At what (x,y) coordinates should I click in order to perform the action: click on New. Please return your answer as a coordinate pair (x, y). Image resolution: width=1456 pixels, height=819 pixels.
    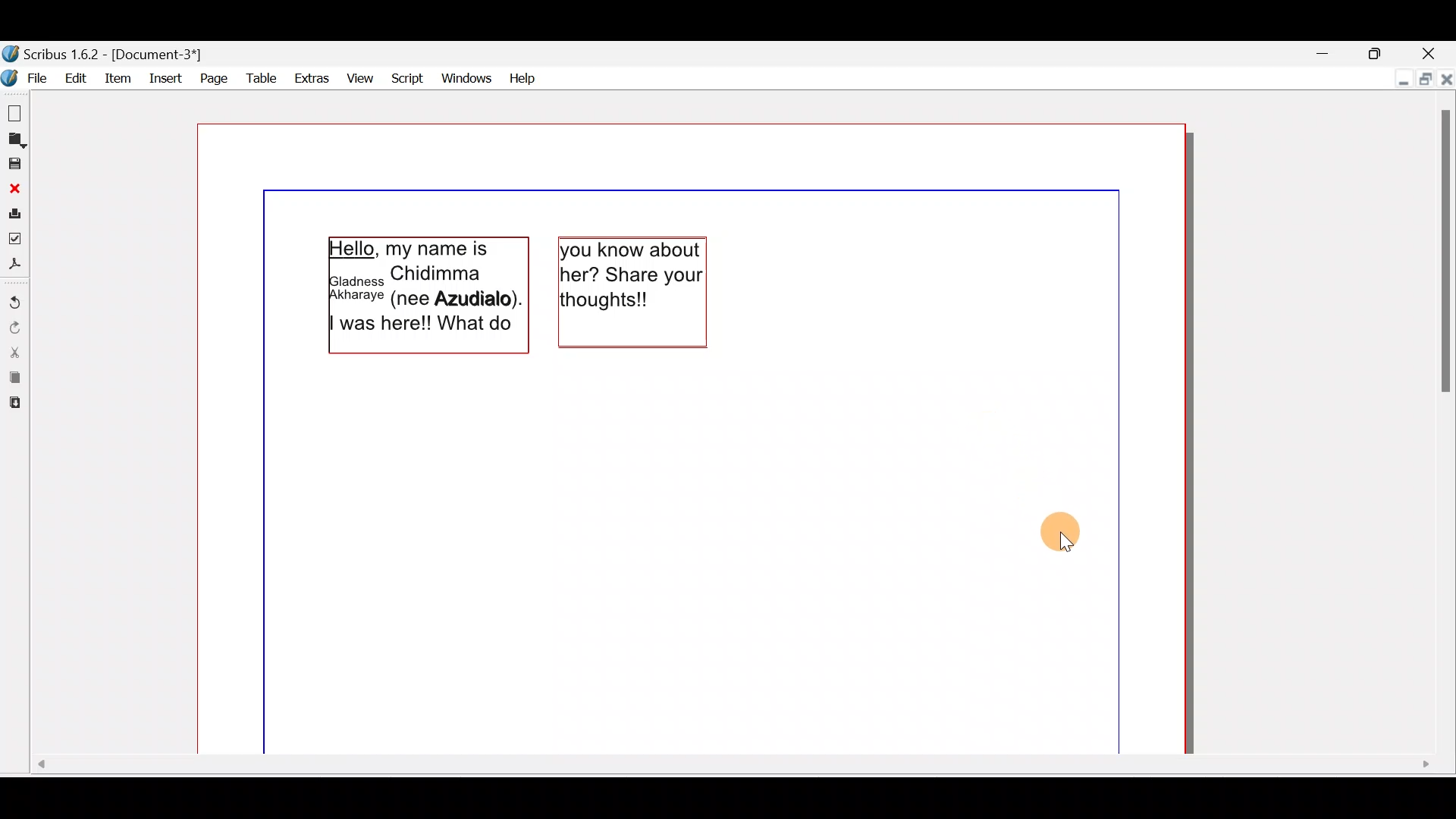
    Looking at the image, I should click on (17, 112).